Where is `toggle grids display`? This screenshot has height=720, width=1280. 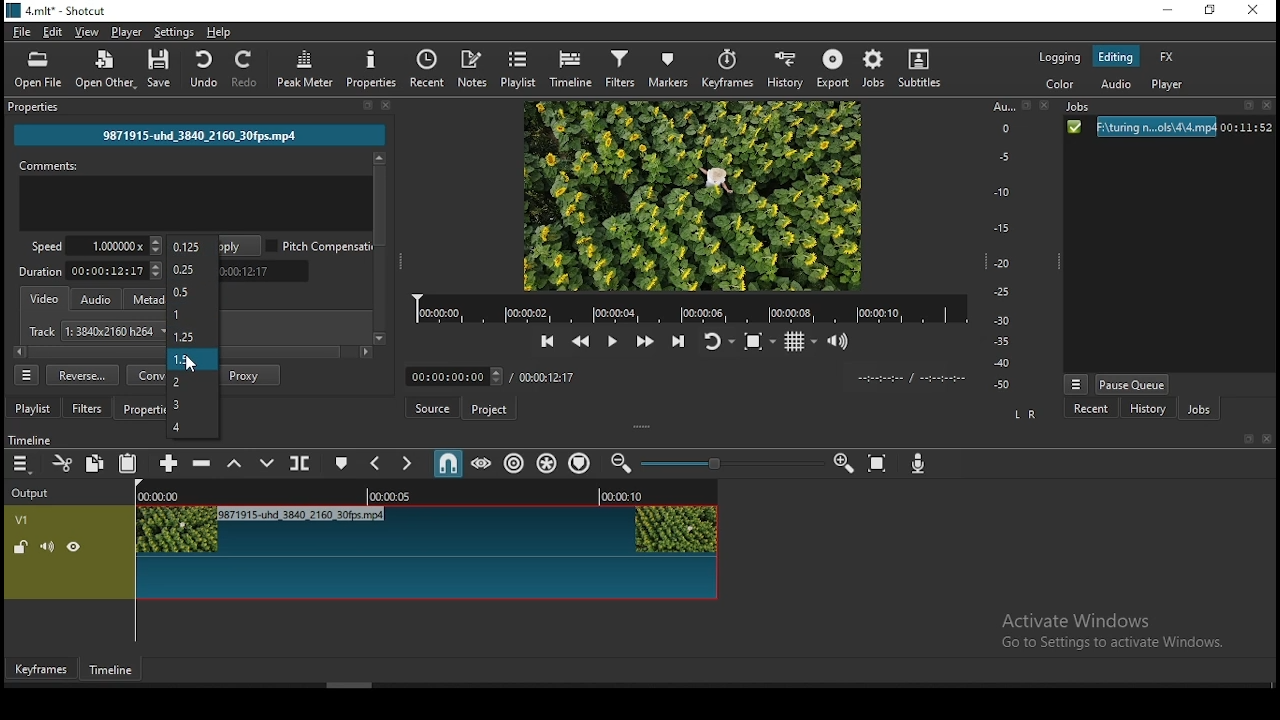
toggle grids display is located at coordinates (799, 344).